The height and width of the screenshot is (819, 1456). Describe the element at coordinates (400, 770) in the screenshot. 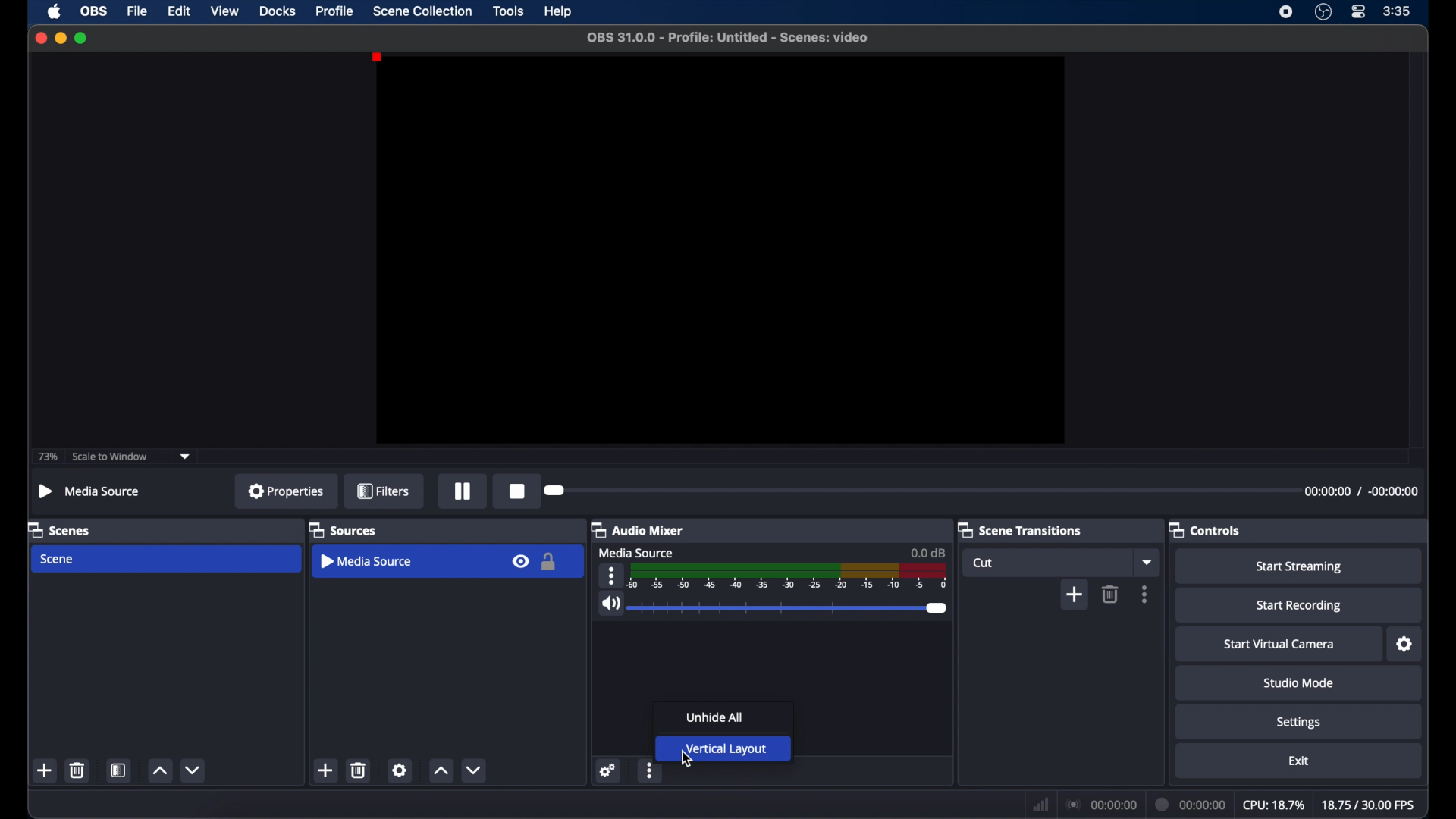

I see `settings` at that location.